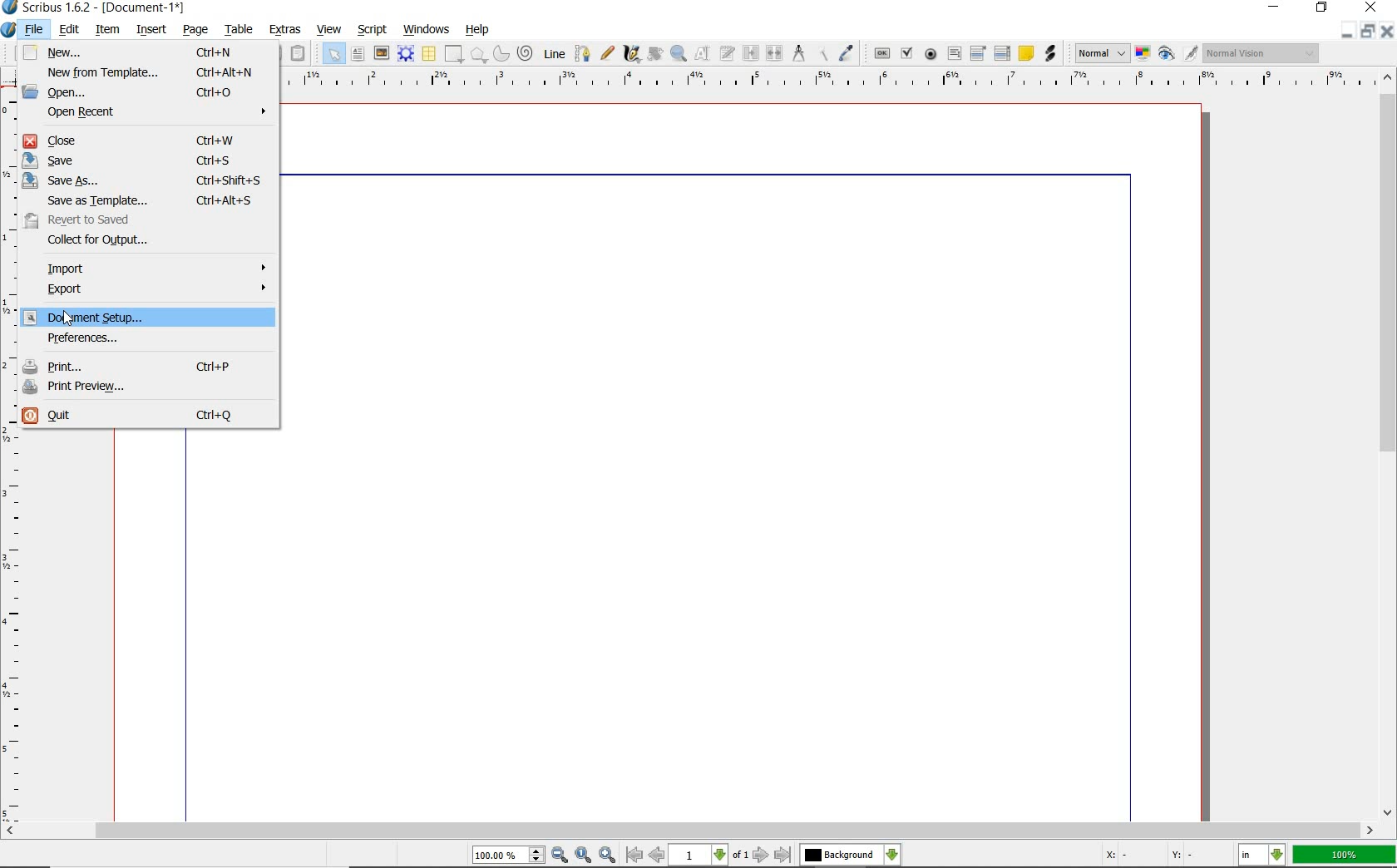 The width and height of the screenshot is (1397, 868). Describe the element at coordinates (70, 29) in the screenshot. I see `edit` at that location.